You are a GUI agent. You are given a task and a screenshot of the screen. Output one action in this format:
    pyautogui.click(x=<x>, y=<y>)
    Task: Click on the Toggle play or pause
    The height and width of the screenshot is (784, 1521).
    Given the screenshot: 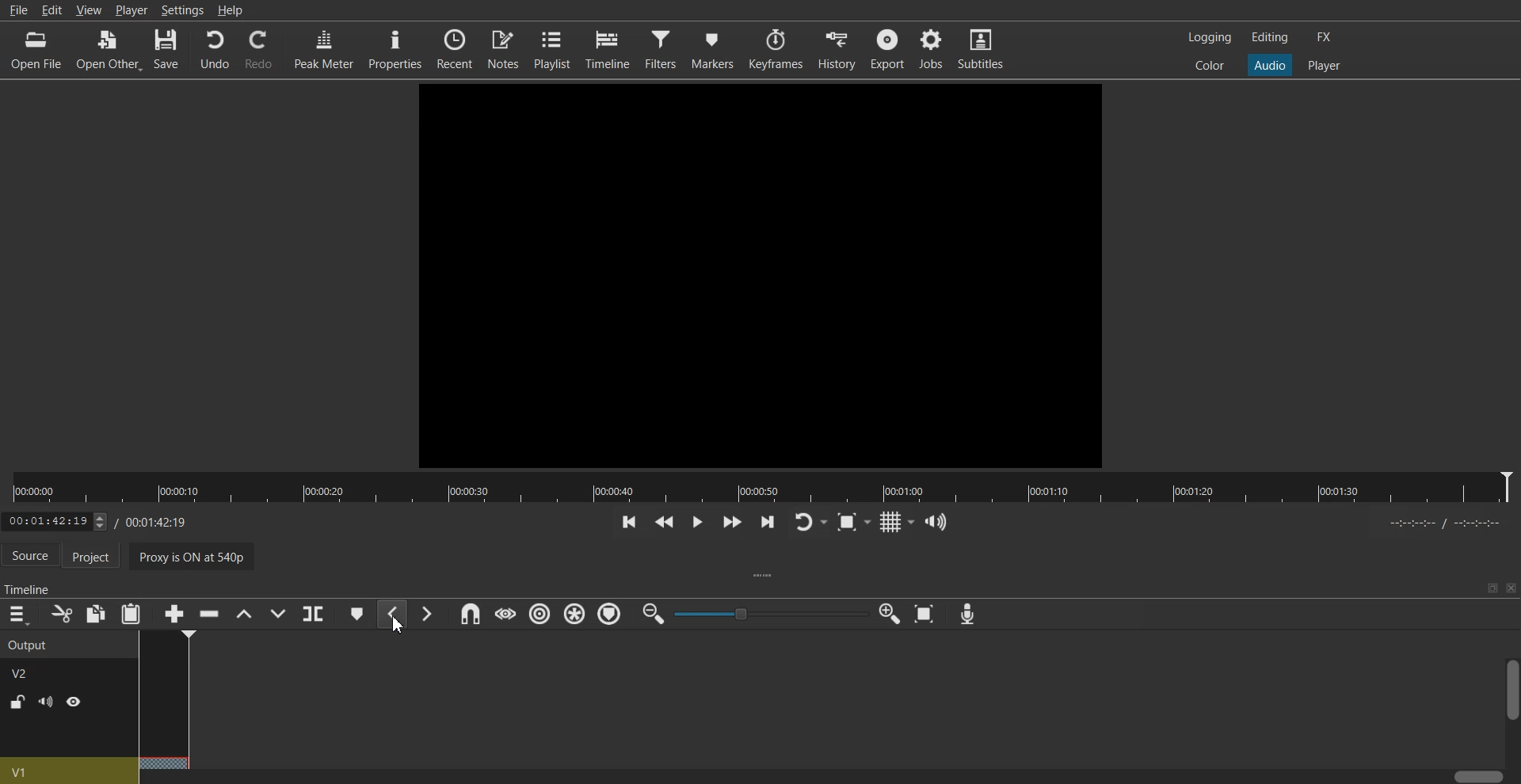 What is the action you would take?
    pyautogui.click(x=697, y=522)
    